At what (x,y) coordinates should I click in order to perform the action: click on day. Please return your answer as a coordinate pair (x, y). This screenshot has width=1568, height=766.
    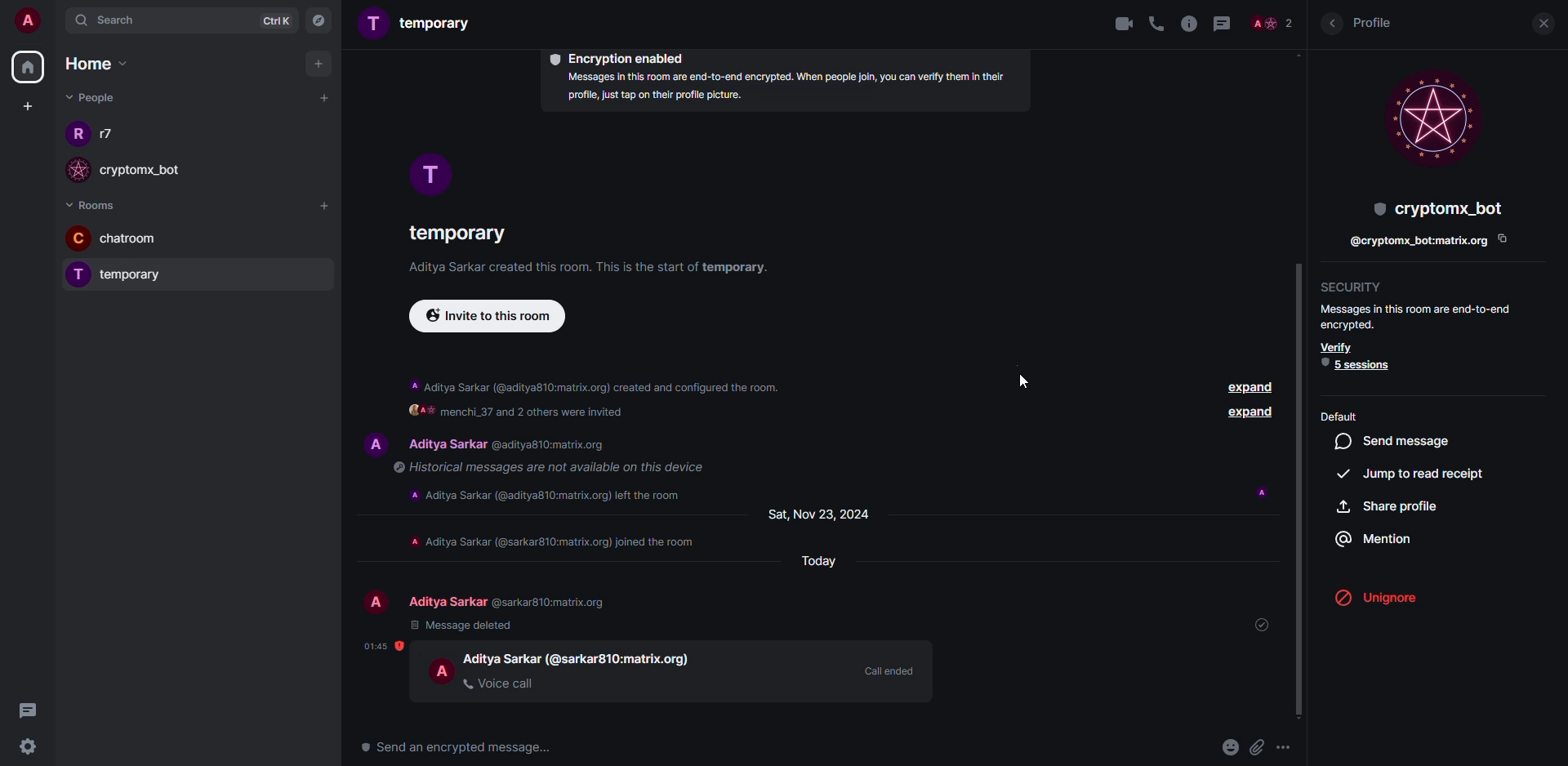
    Looking at the image, I should click on (826, 513).